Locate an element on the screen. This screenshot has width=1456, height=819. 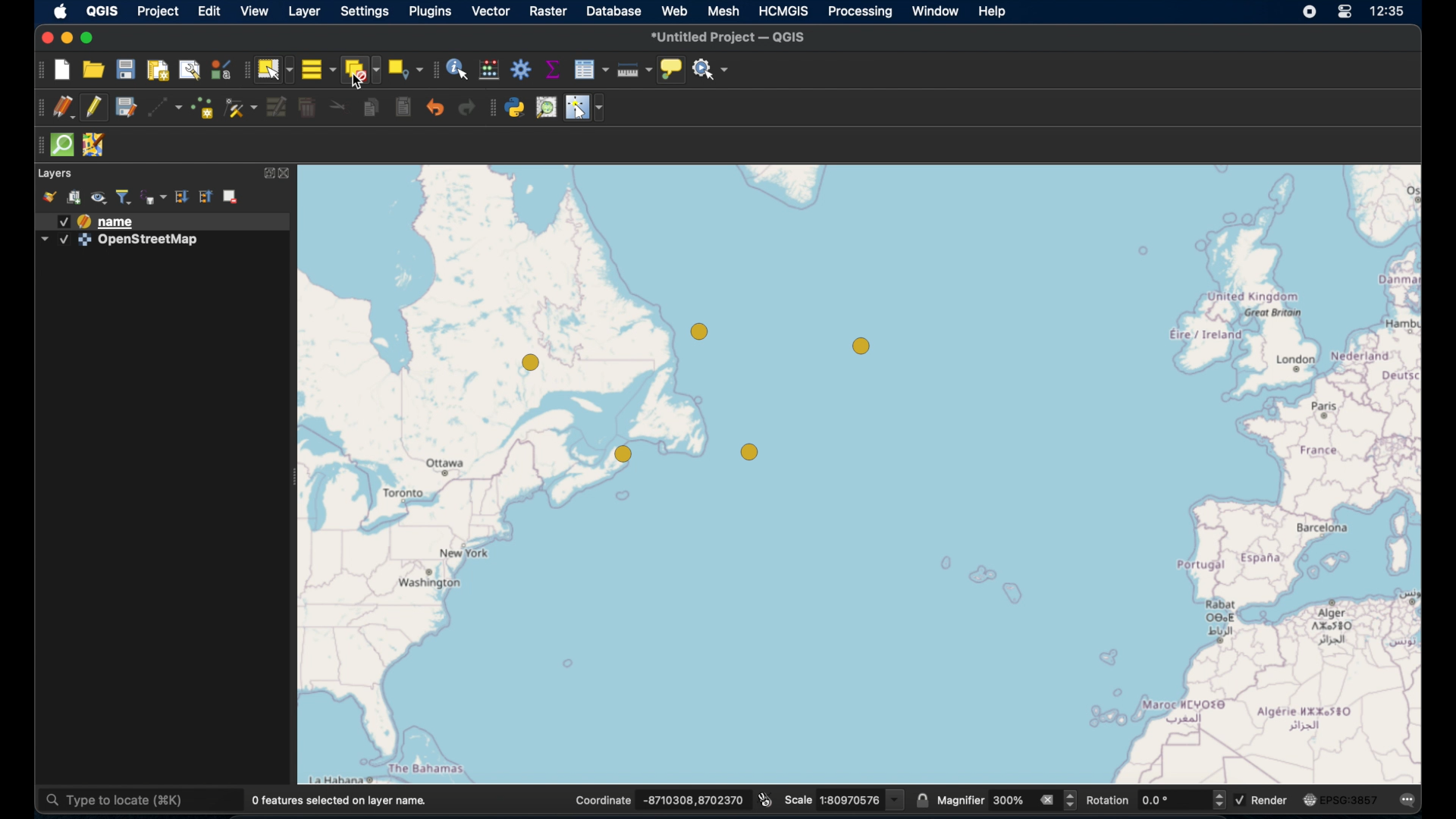
jsom remote is located at coordinates (93, 144).